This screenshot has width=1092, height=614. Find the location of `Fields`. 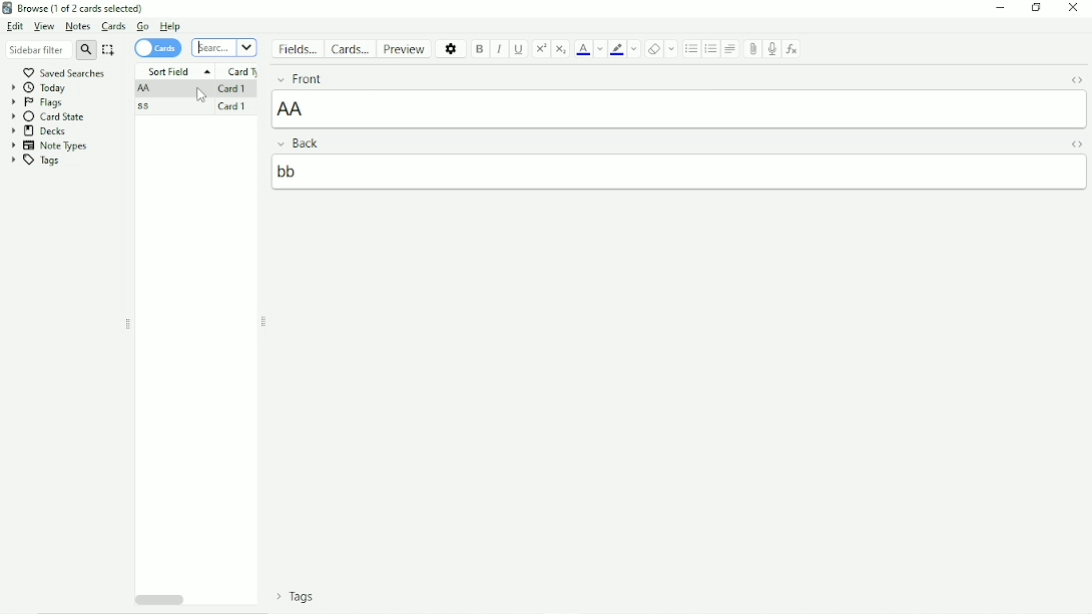

Fields is located at coordinates (297, 47).